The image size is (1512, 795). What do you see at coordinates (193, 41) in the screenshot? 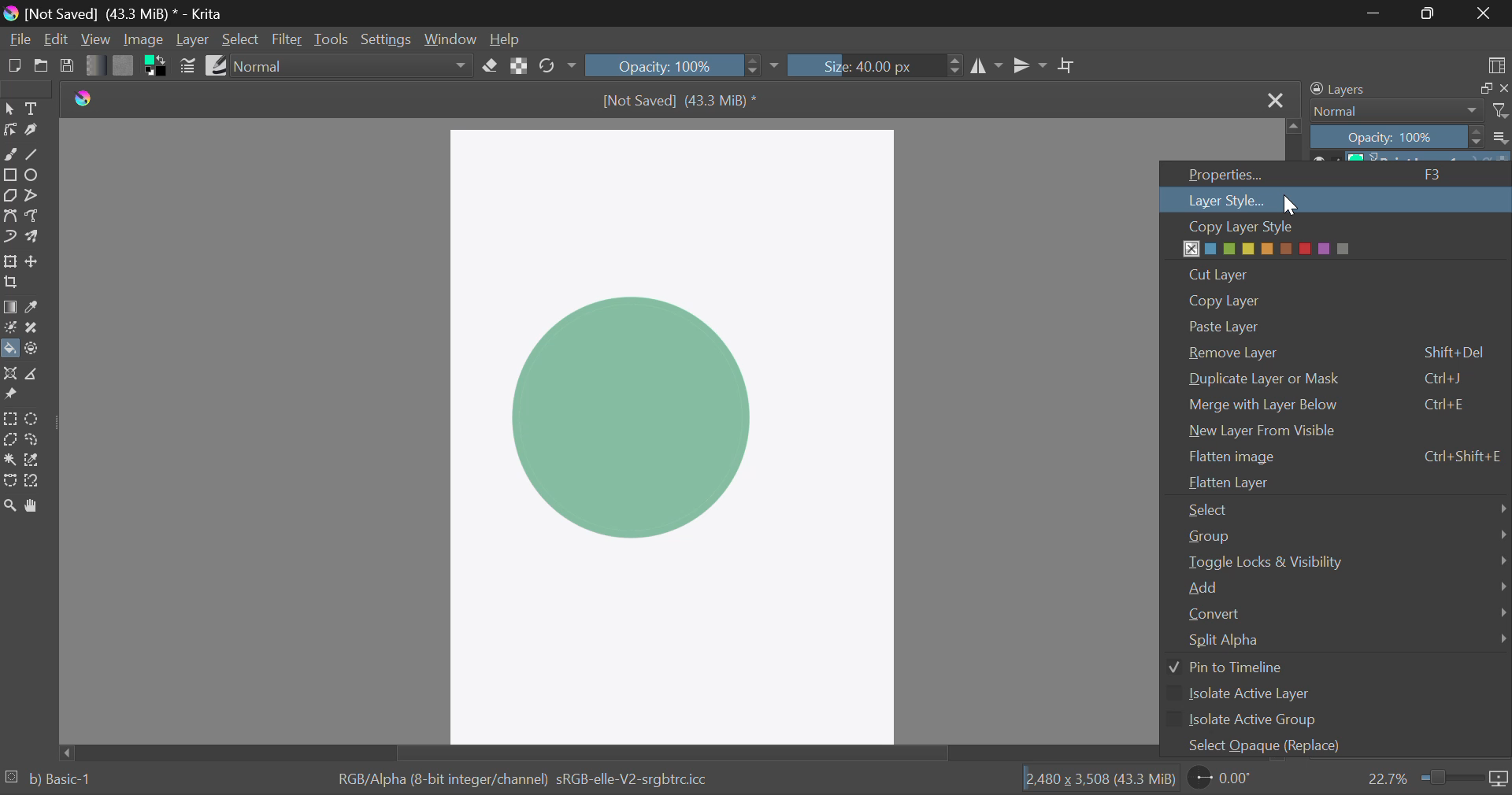
I see `Layer` at bounding box center [193, 41].